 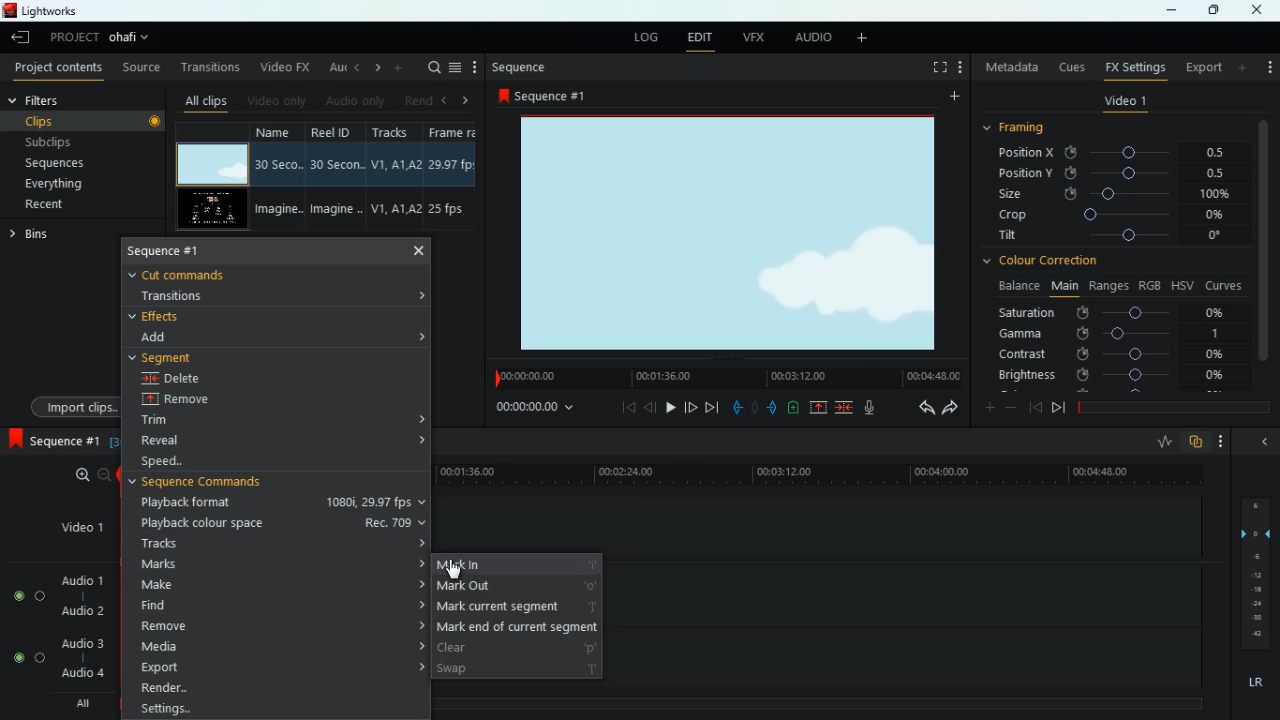 I want to click on audio 1, so click(x=78, y=578).